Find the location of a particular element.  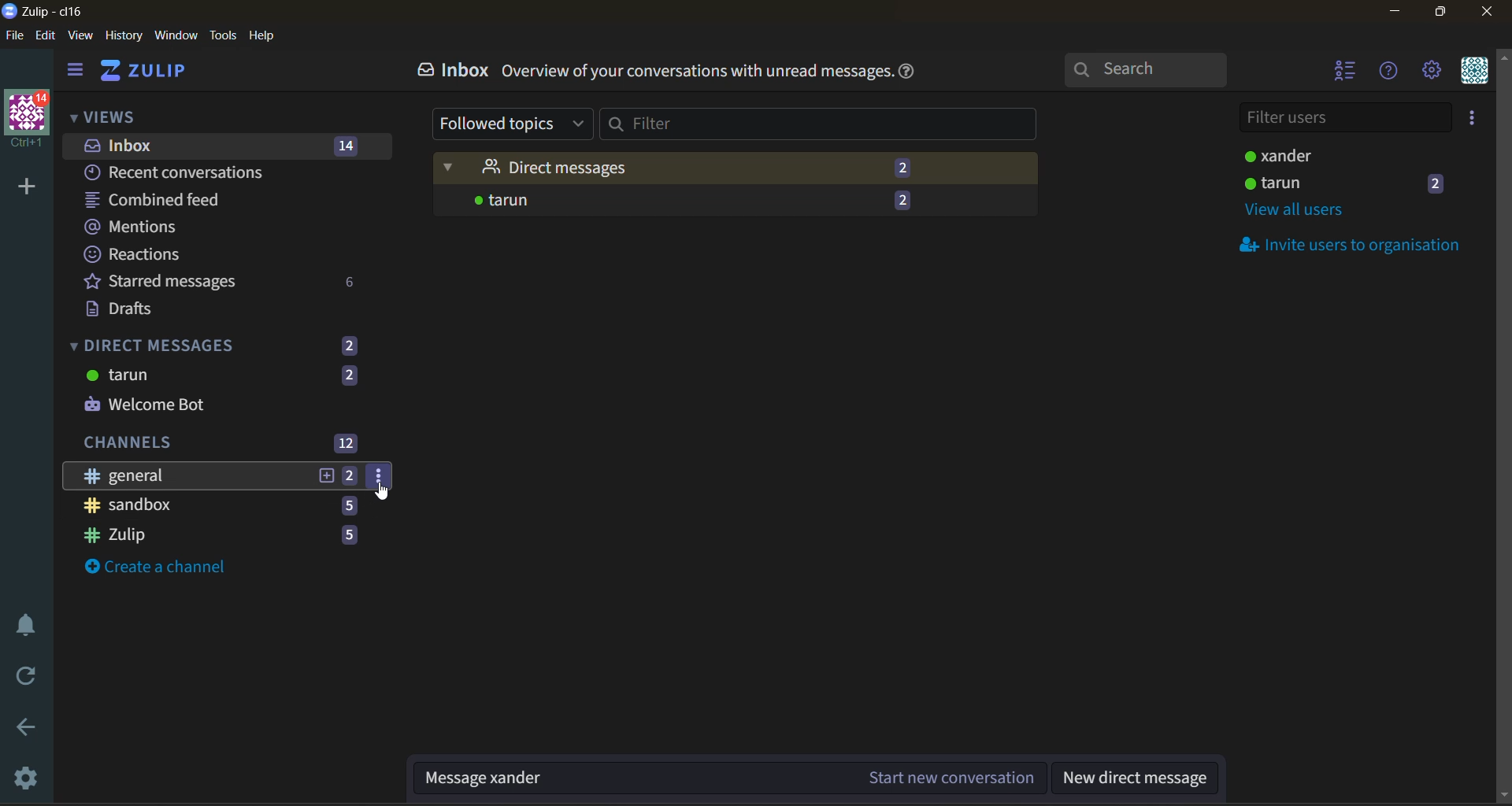

cursor is located at coordinates (387, 497).